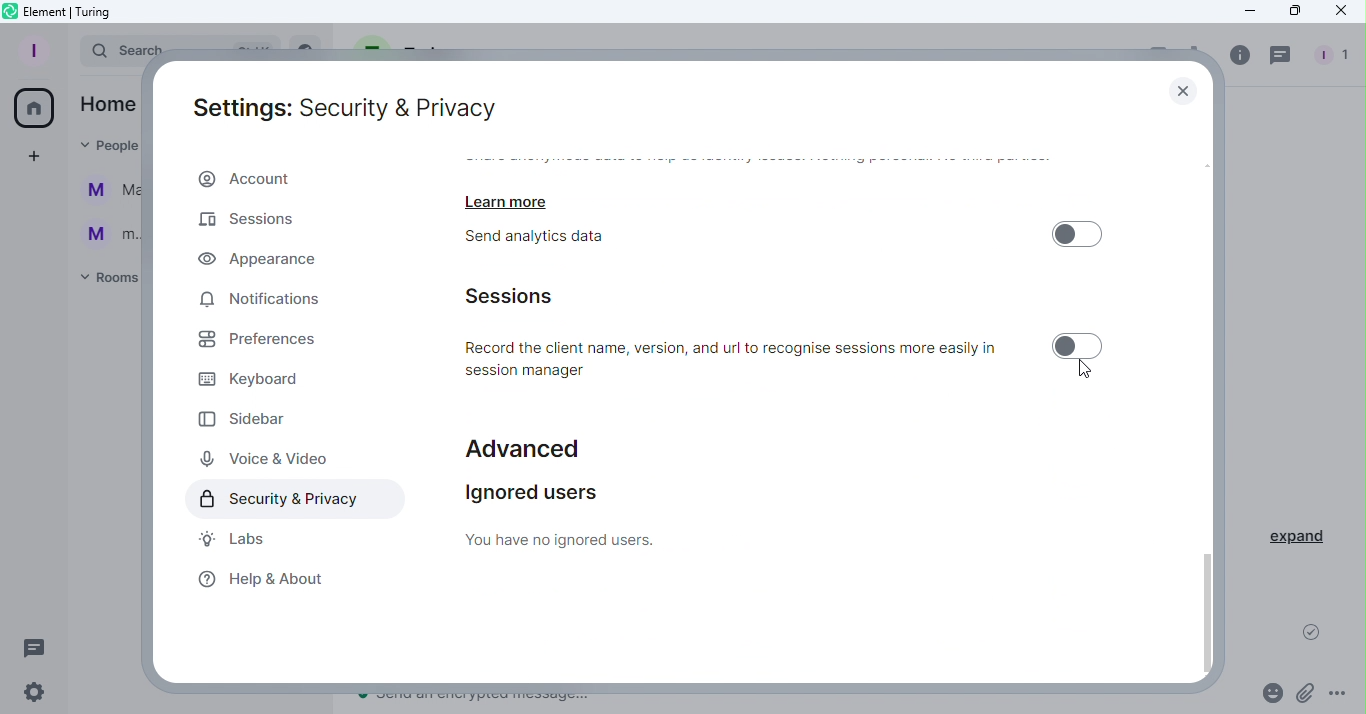 This screenshot has width=1366, height=714. I want to click on Profile, so click(35, 50).